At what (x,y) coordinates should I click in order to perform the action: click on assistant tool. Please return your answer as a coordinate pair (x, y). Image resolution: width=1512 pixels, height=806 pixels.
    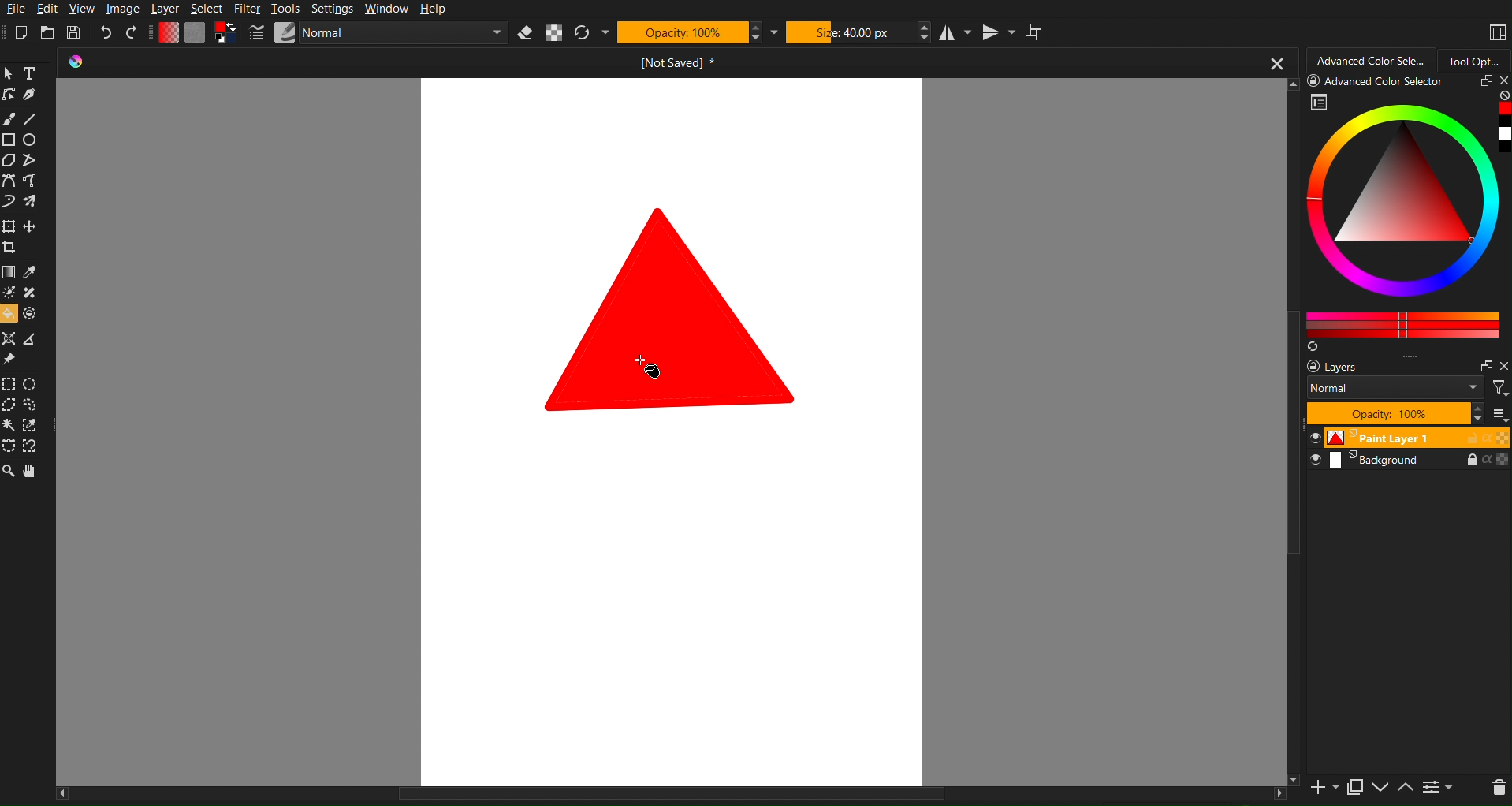
    Looking at the image, I should click on (9, 338).